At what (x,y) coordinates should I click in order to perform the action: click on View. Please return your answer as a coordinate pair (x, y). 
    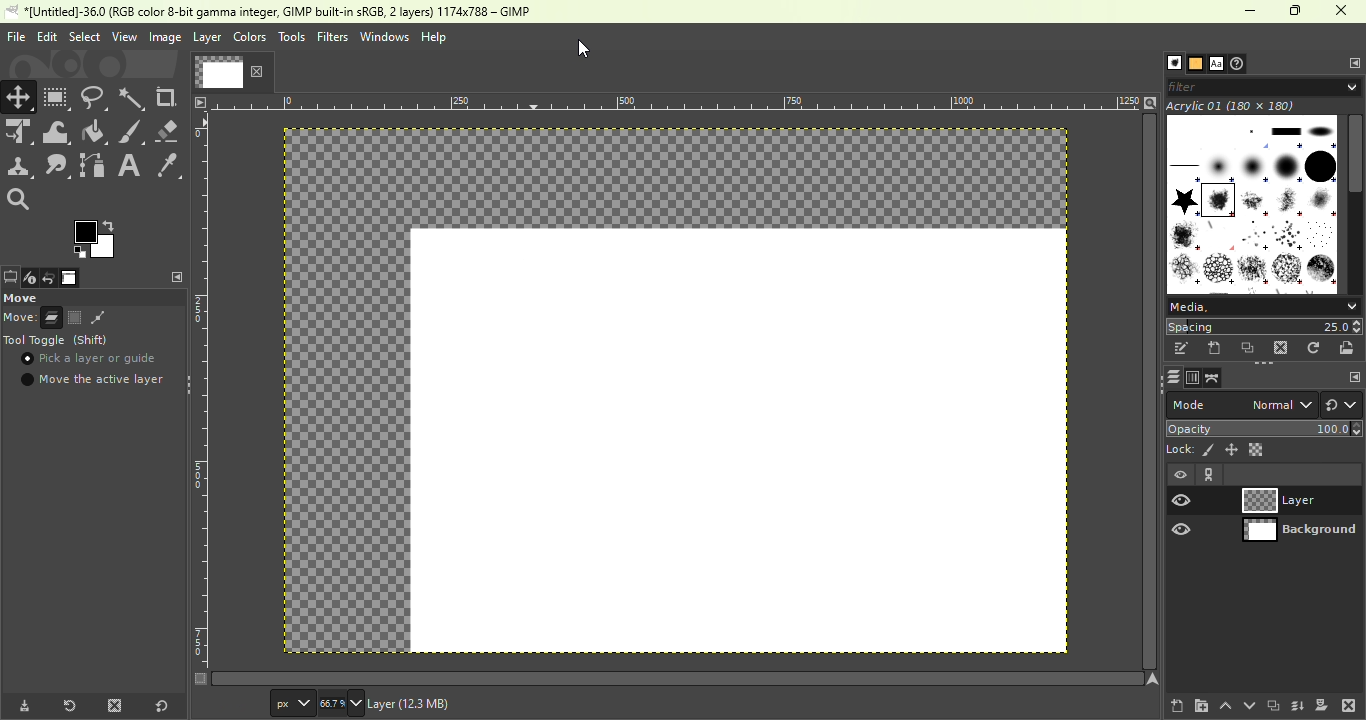
    Looking at the image, I should click on (122, 36).